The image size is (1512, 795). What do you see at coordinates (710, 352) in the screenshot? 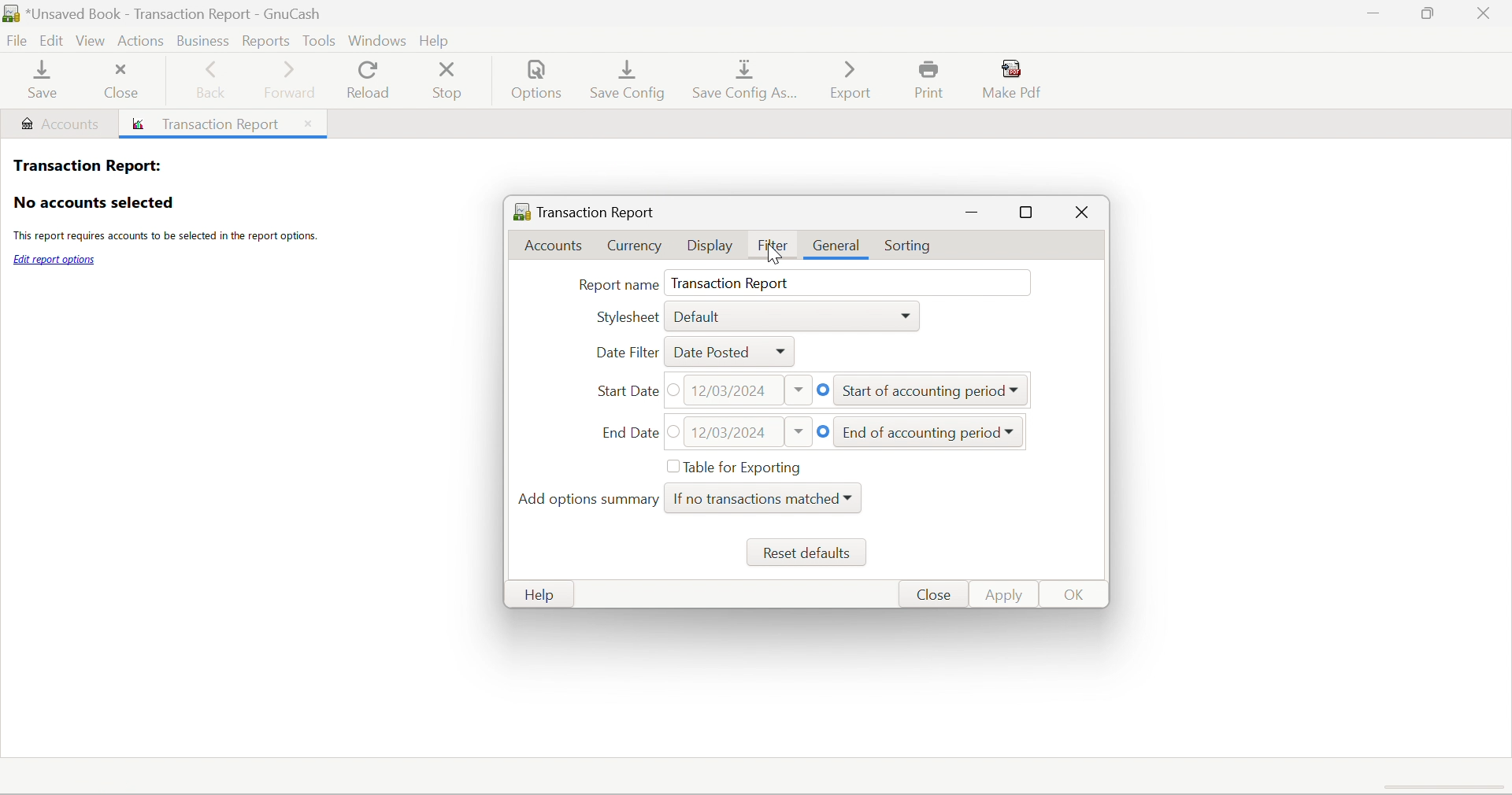
I see `Date Posted` at bounding box center [710, 352].